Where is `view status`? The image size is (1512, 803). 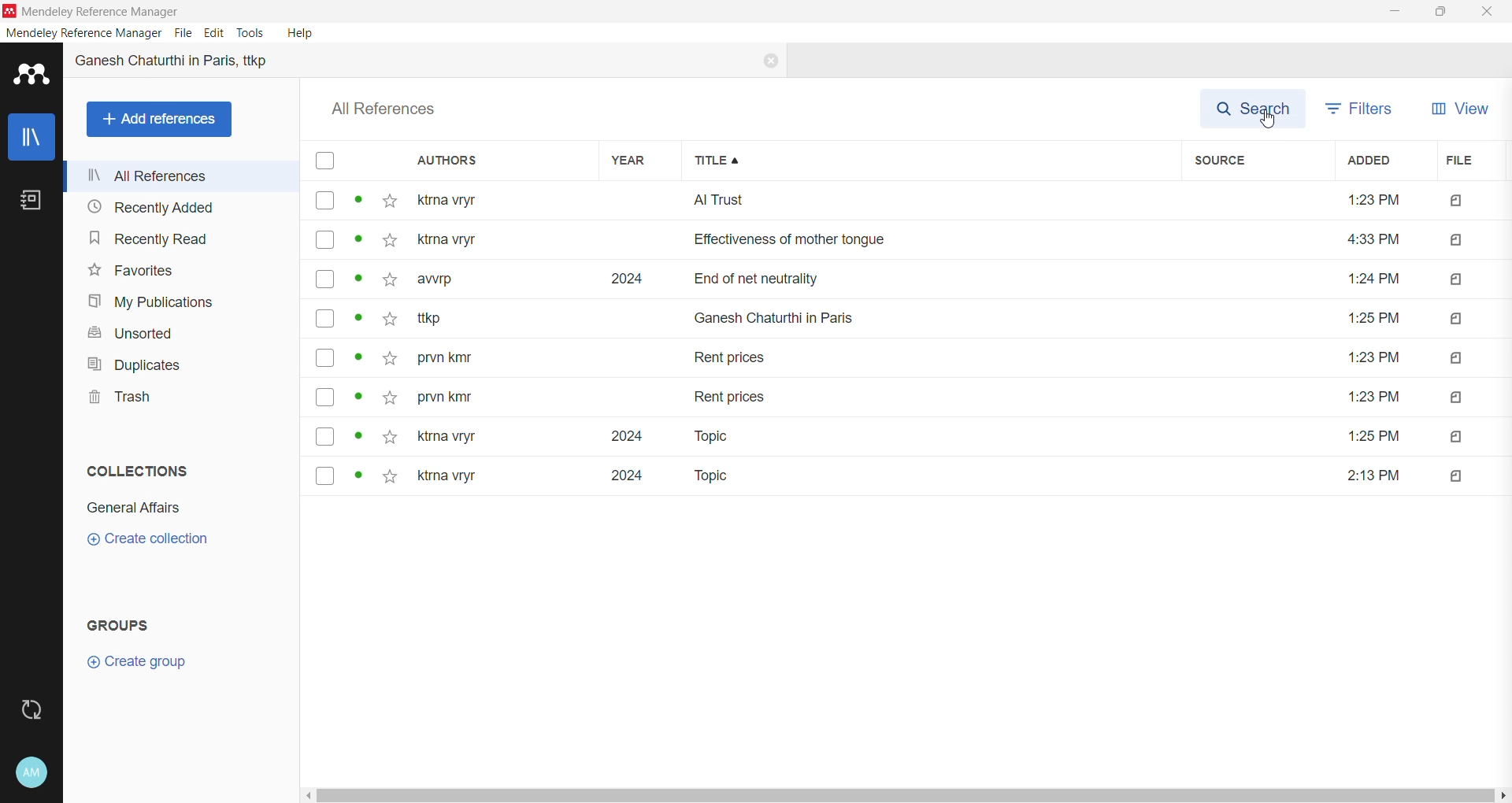
view status is located at coordinates (359, 200).